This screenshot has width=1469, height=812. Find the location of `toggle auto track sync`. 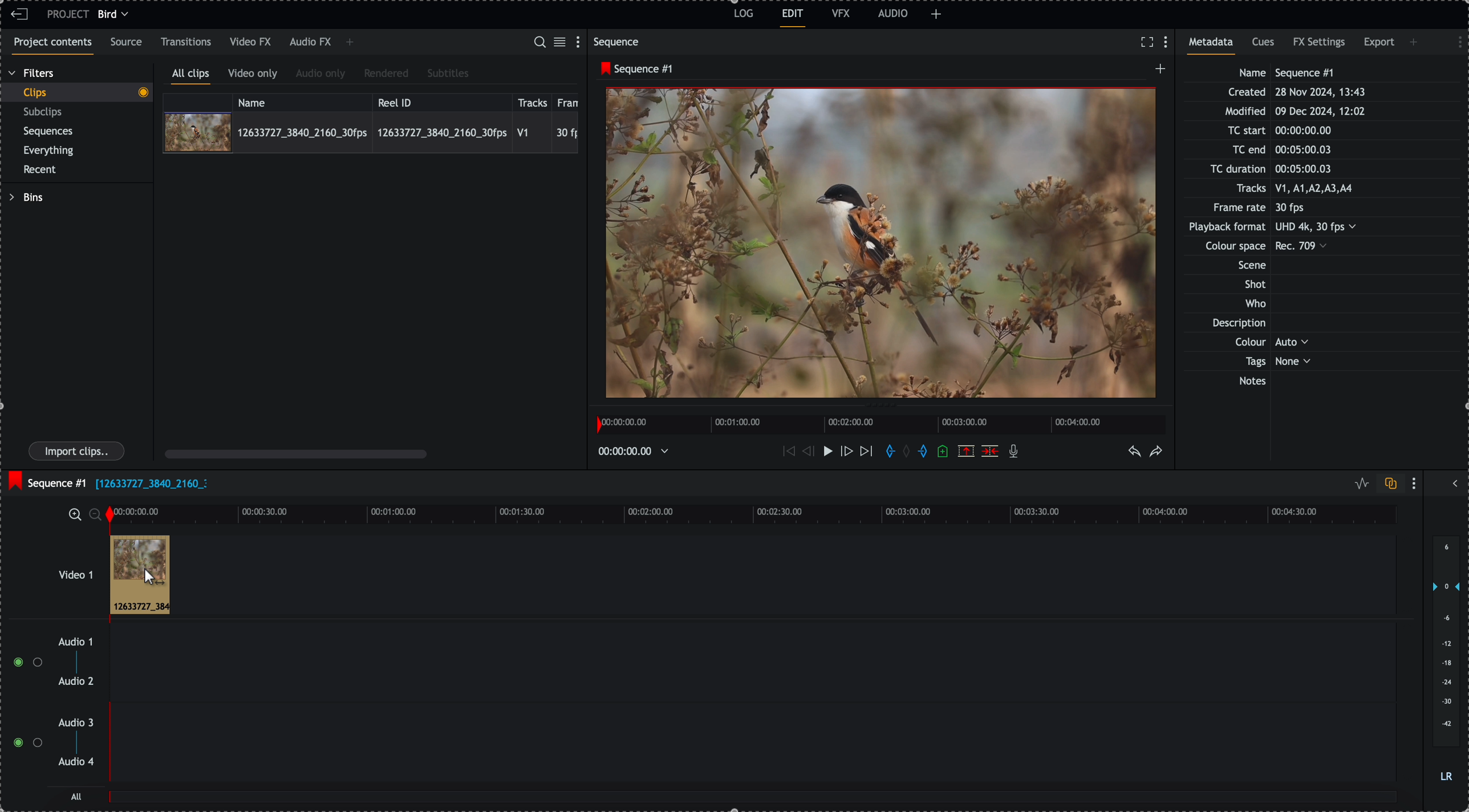

toggle auto track sync is located at coordinates (1388, 484).